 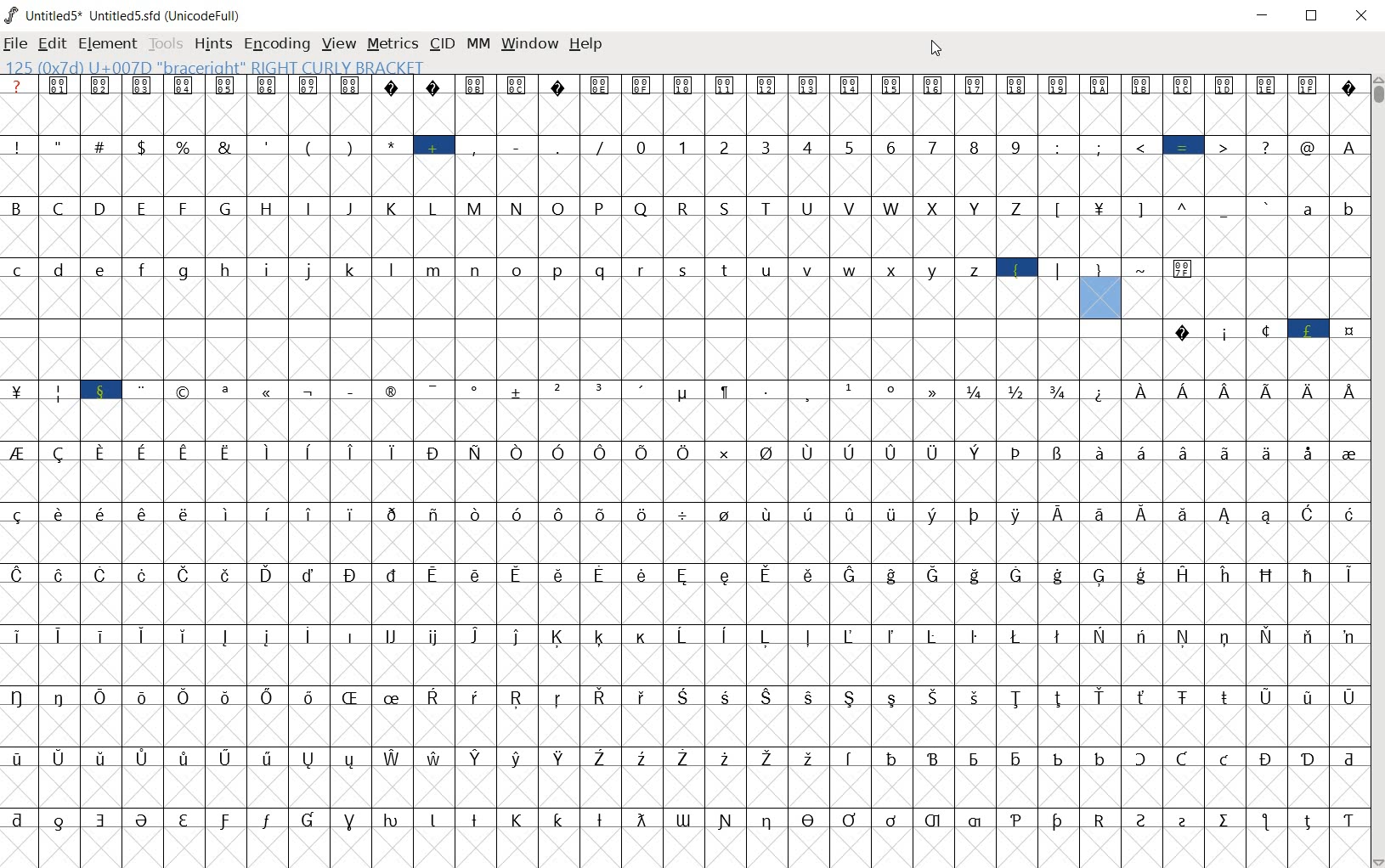 What do you see at coordinates (212, 45) in the screenshot?
I see `HINTS` at bounding box center [212, 45].